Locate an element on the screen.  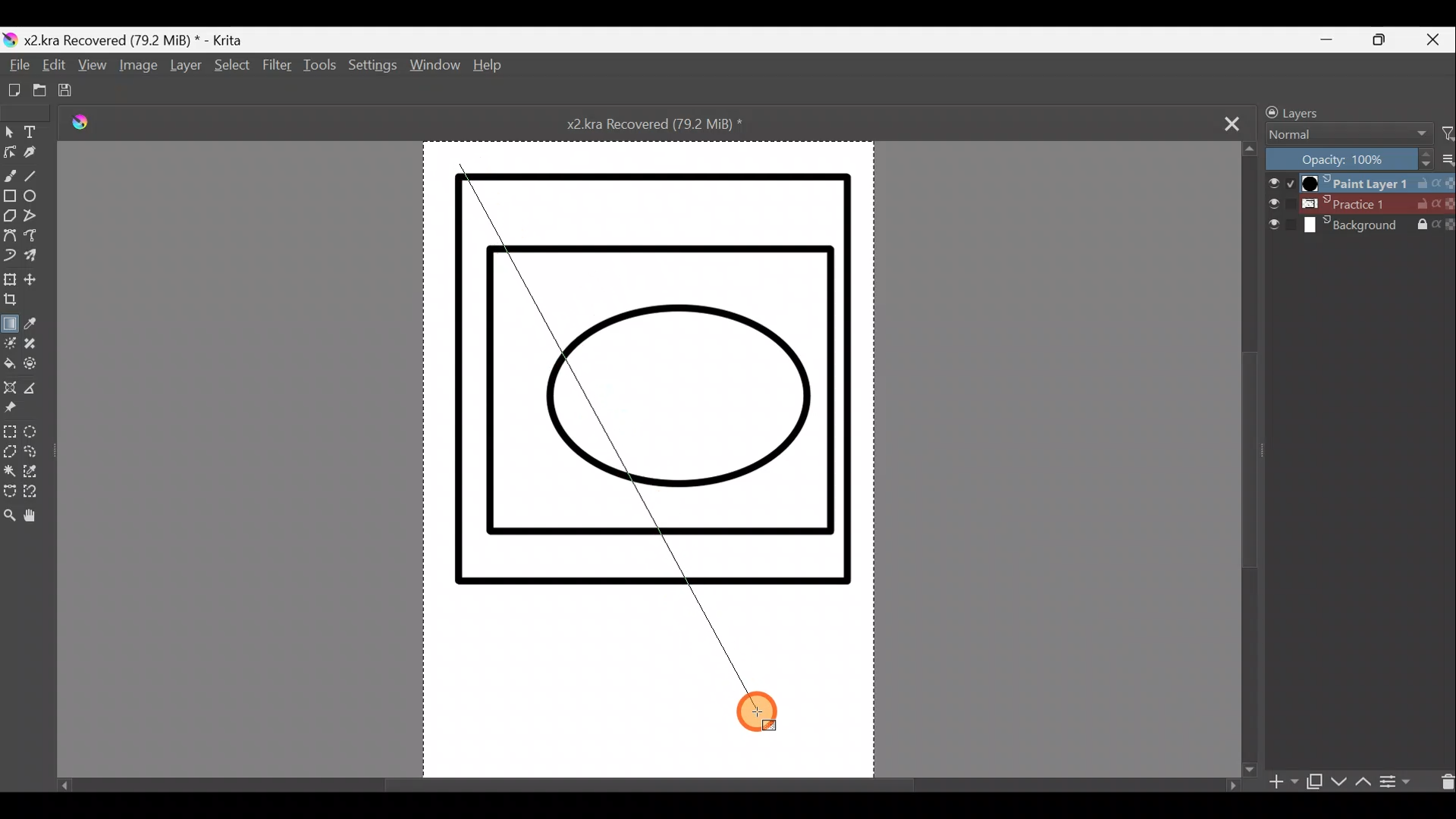
Contiguous selection tool is located at coordinates (10, 472).